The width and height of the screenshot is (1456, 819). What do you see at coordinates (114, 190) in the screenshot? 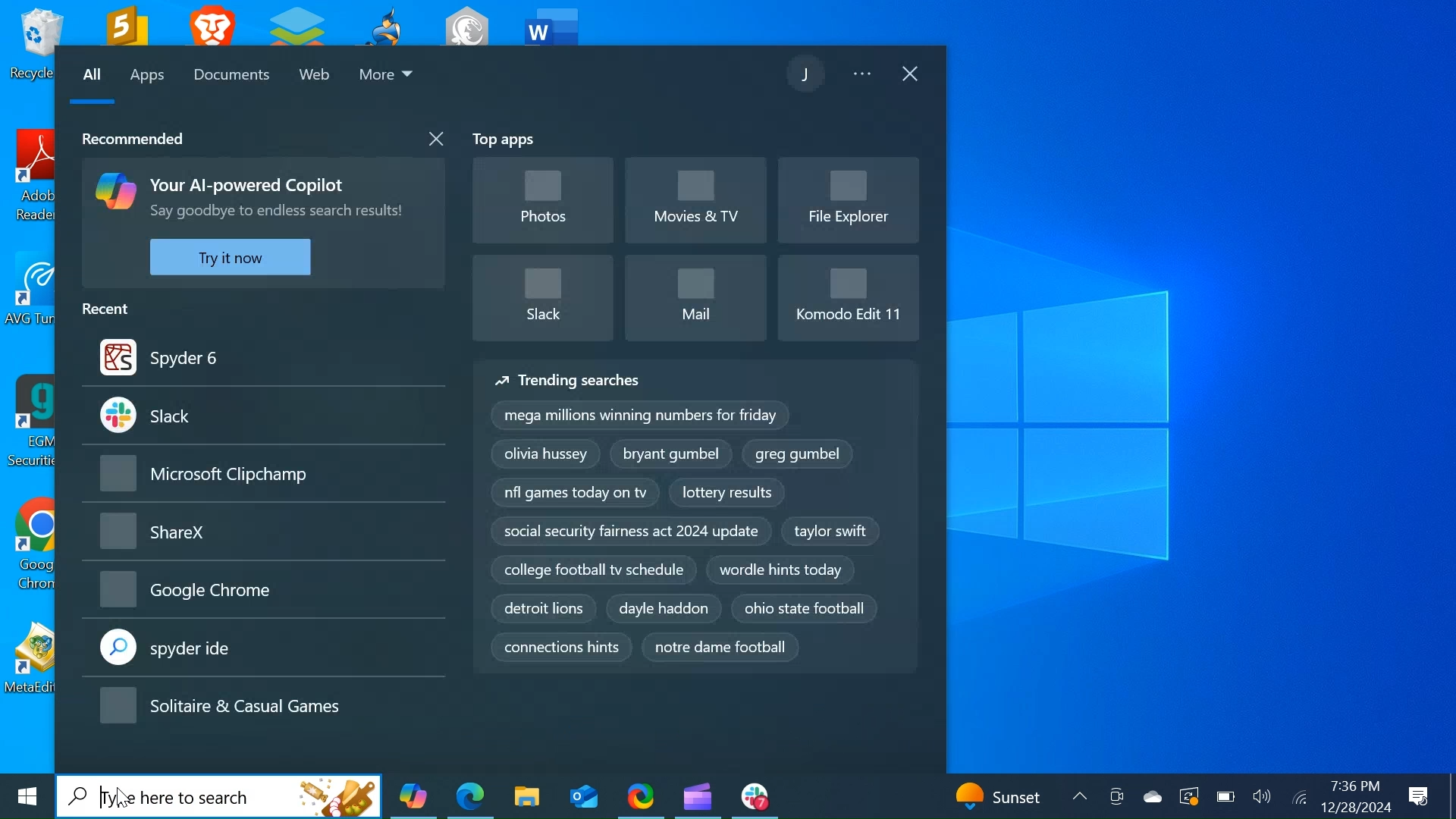
I see `Copilot Logo` at bounding box center [114, 190].